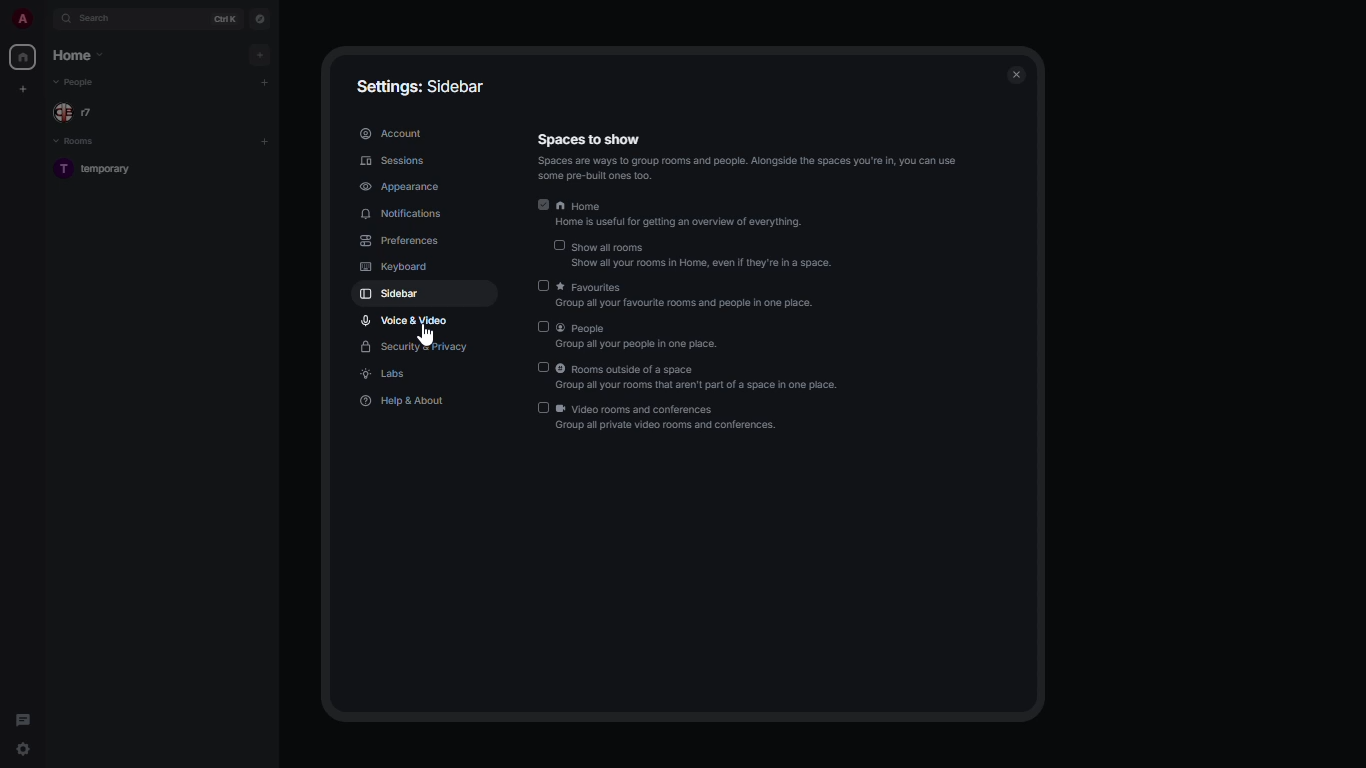 This screenshot has height=768, width=1366. What do you see at coordinates (703, 259) in the screenshot?
I see `show all rooms` at bounding box center [703, 259].